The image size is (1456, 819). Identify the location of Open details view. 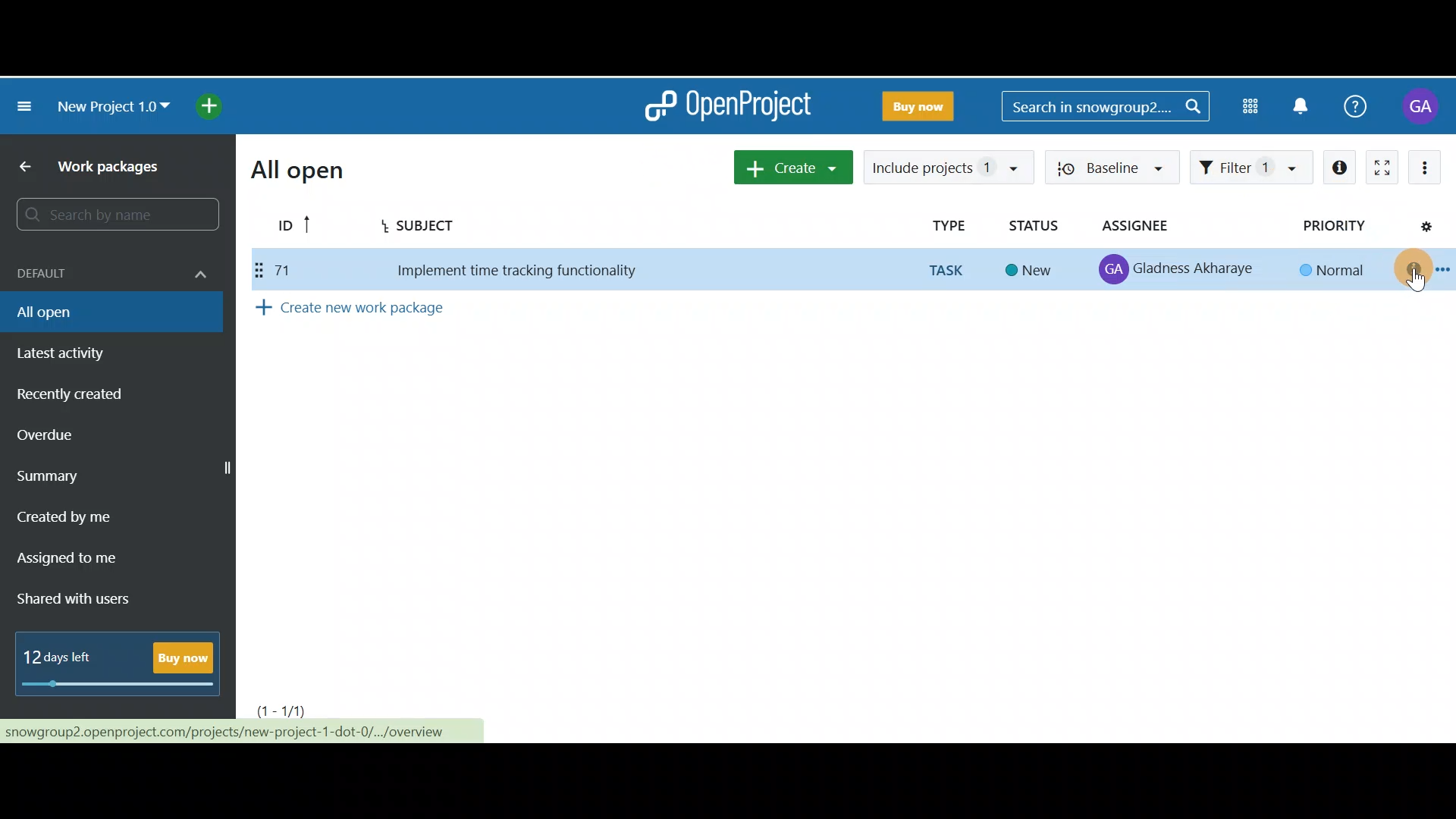
(1409, 268).